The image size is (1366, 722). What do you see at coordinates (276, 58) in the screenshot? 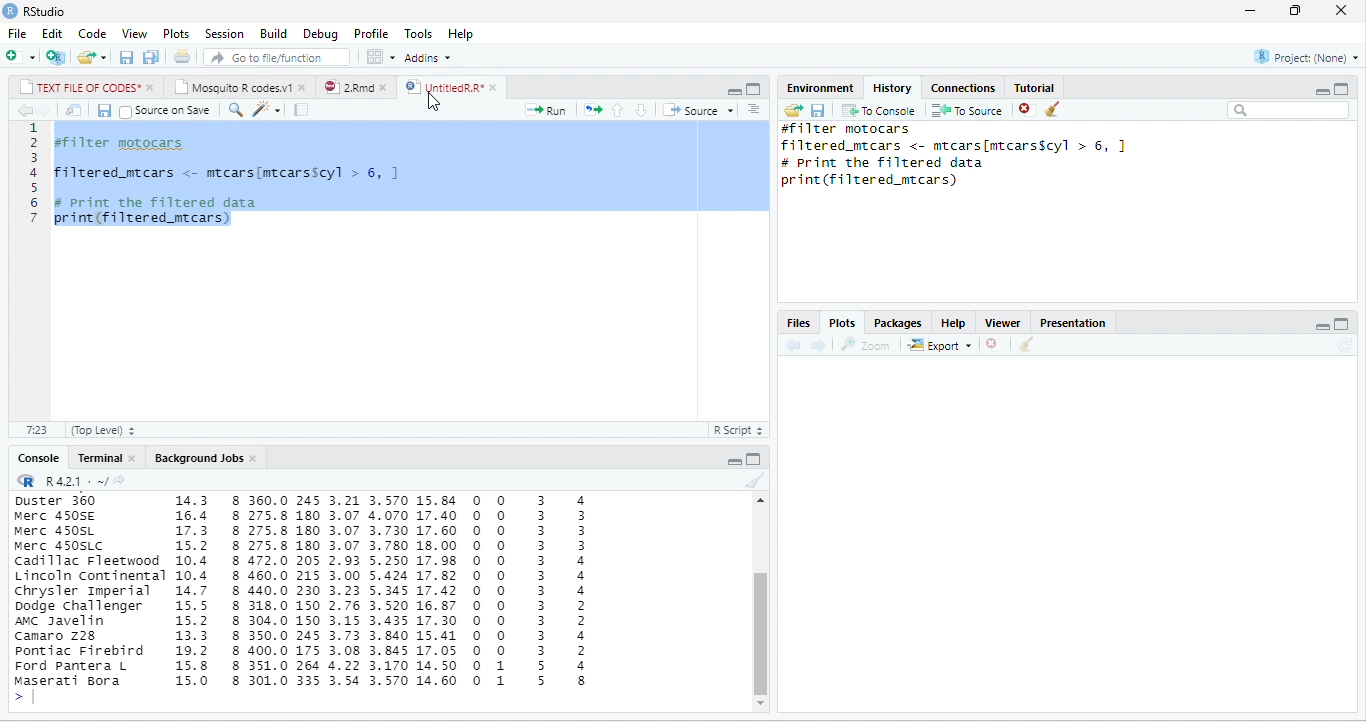
I see `search file` at bounding box center [276, 58].